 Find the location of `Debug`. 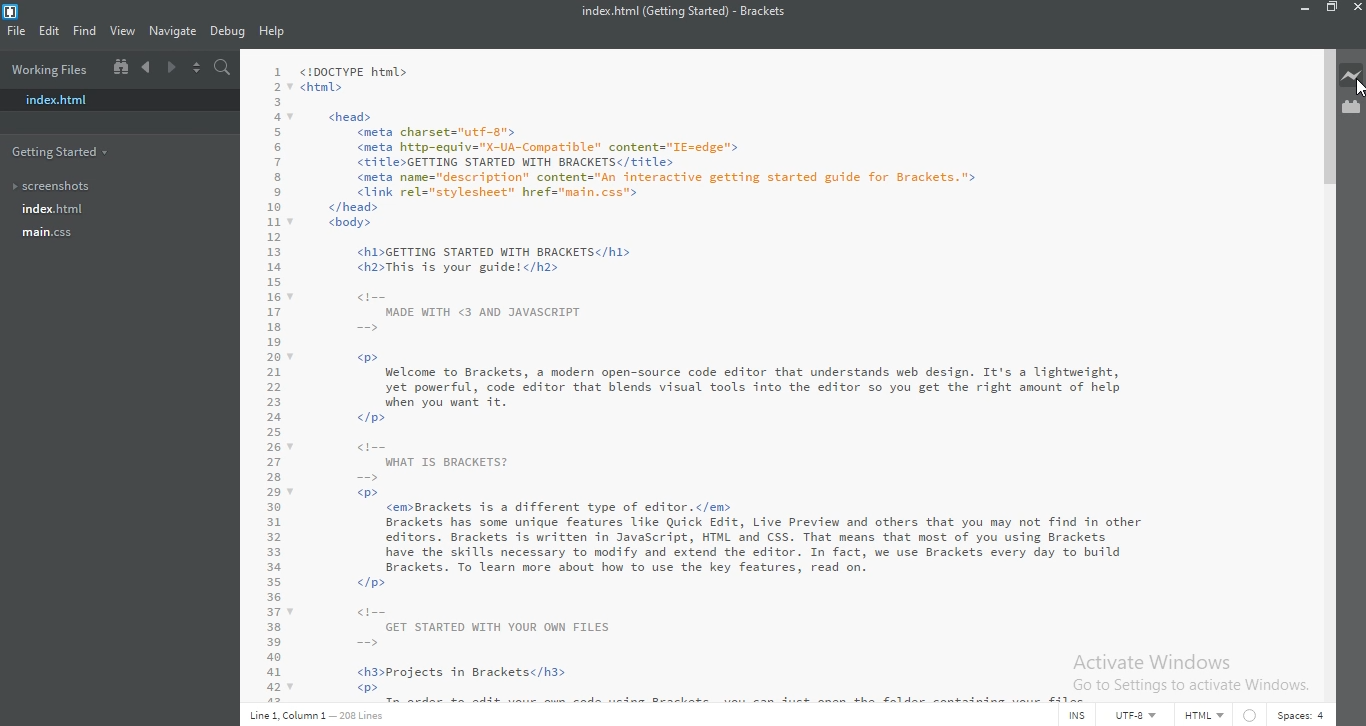

Debug is located at coordinates (230, 31).